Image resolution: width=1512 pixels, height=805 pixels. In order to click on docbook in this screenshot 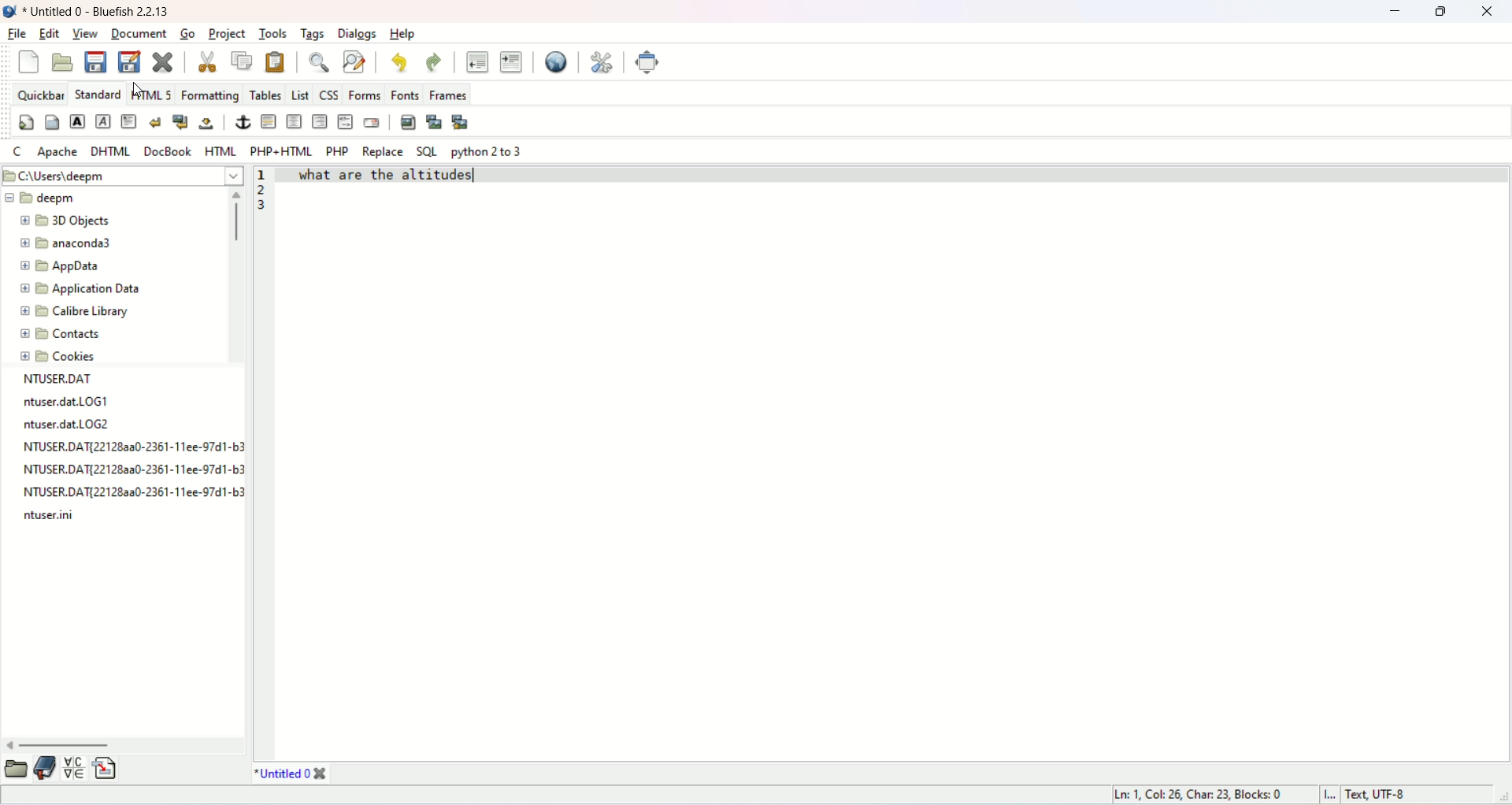, I will do `click(170, 149)`.